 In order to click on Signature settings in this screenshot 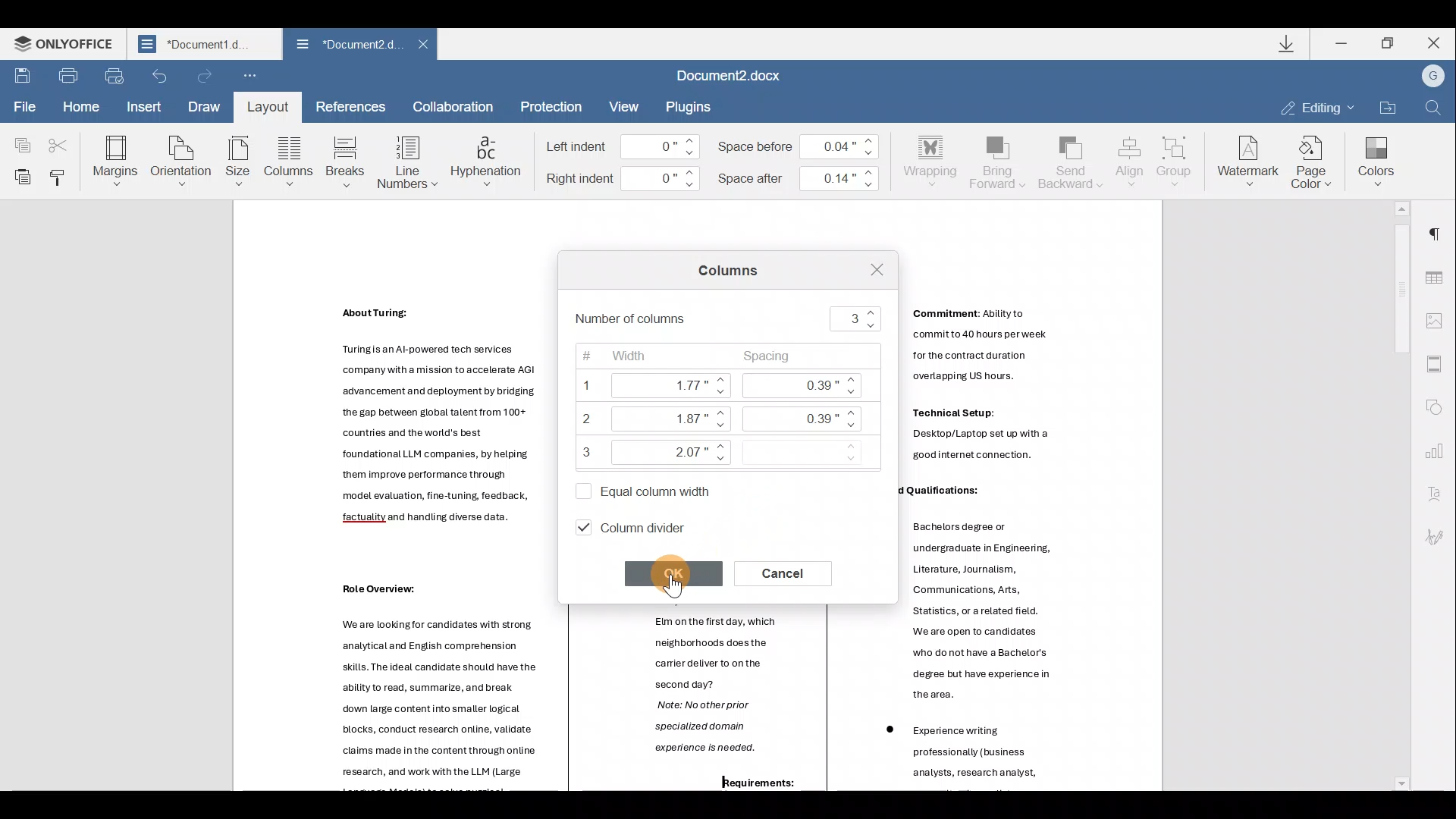, I will do `click(1441, 536)`.